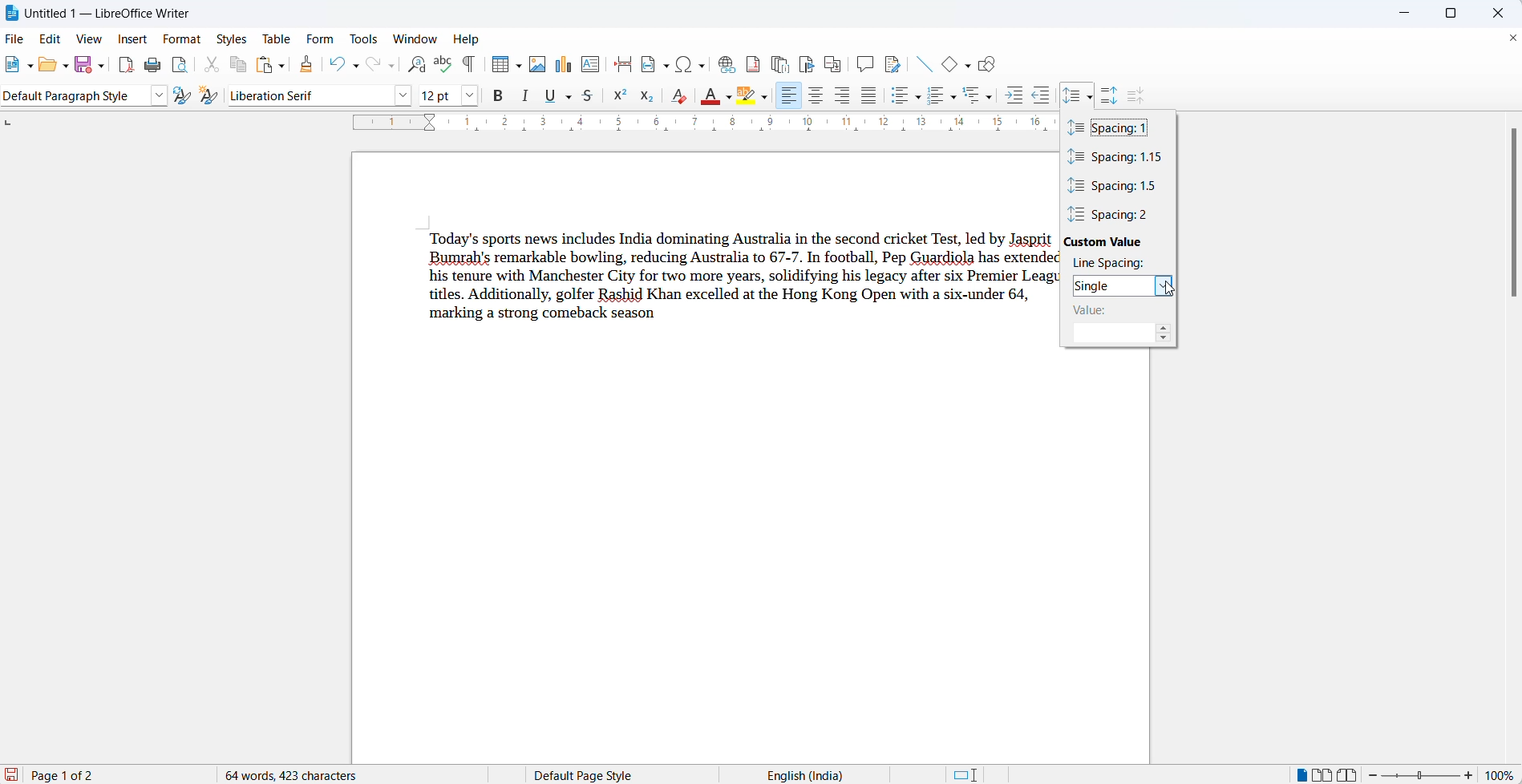 Image resolution: width=1522 pixels, height=784 pixels. What do you see at coordinates (1420, 775) in the screenshot?
I see `zoom slider` at bounding box center [1420, 775].